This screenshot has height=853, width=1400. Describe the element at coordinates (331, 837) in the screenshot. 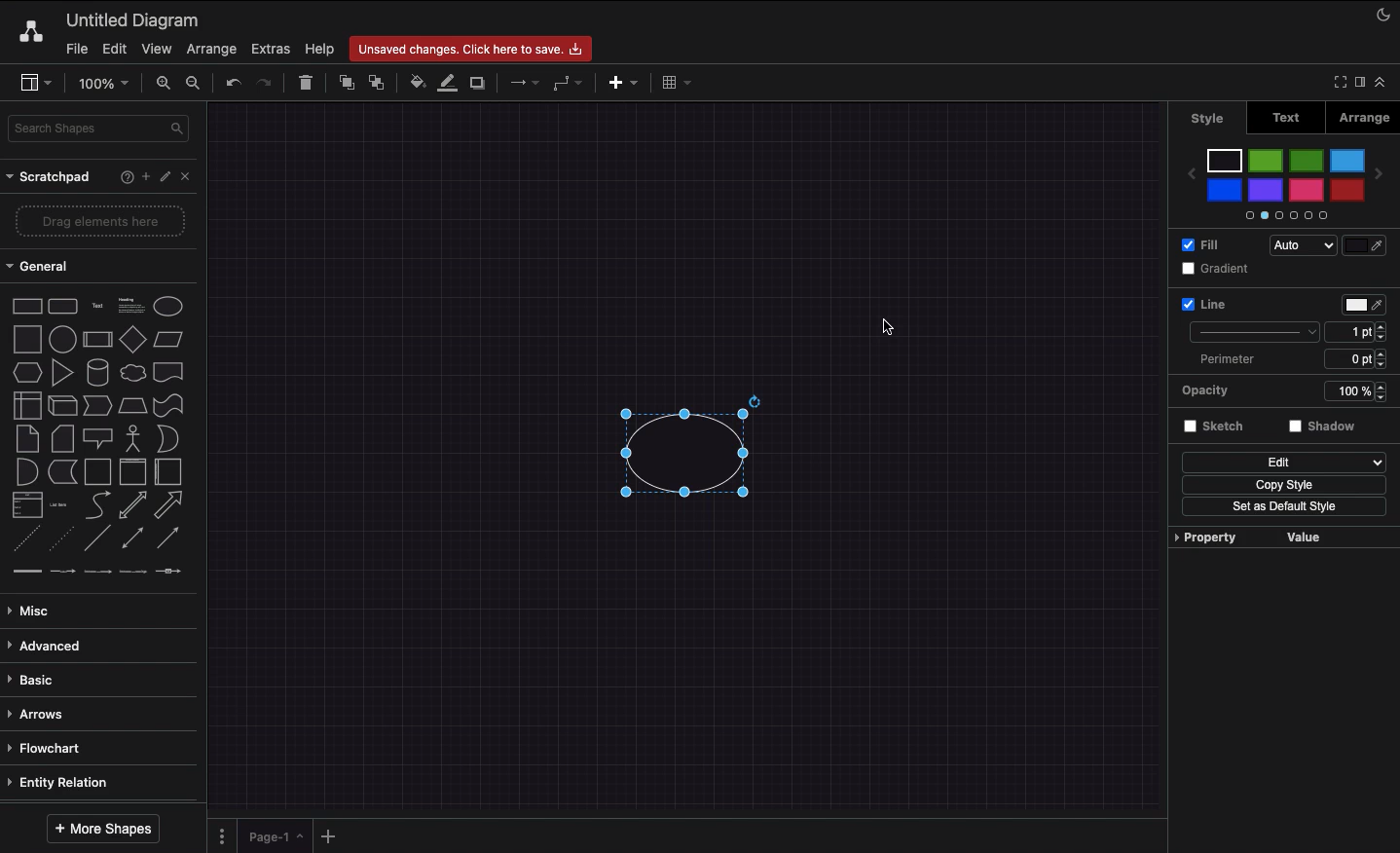

I see `Add new pages` at that location.